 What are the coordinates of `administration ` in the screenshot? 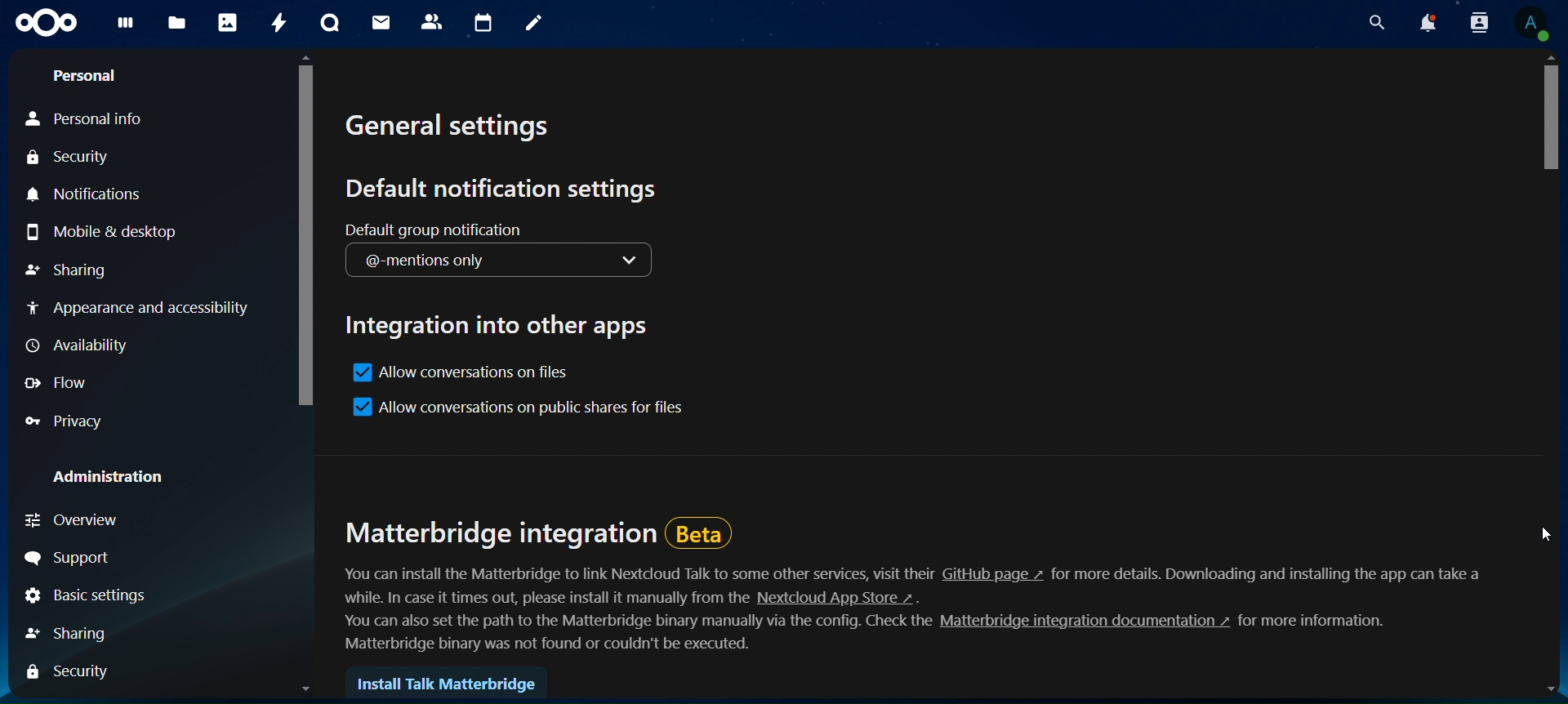 It's located at (114, 479).